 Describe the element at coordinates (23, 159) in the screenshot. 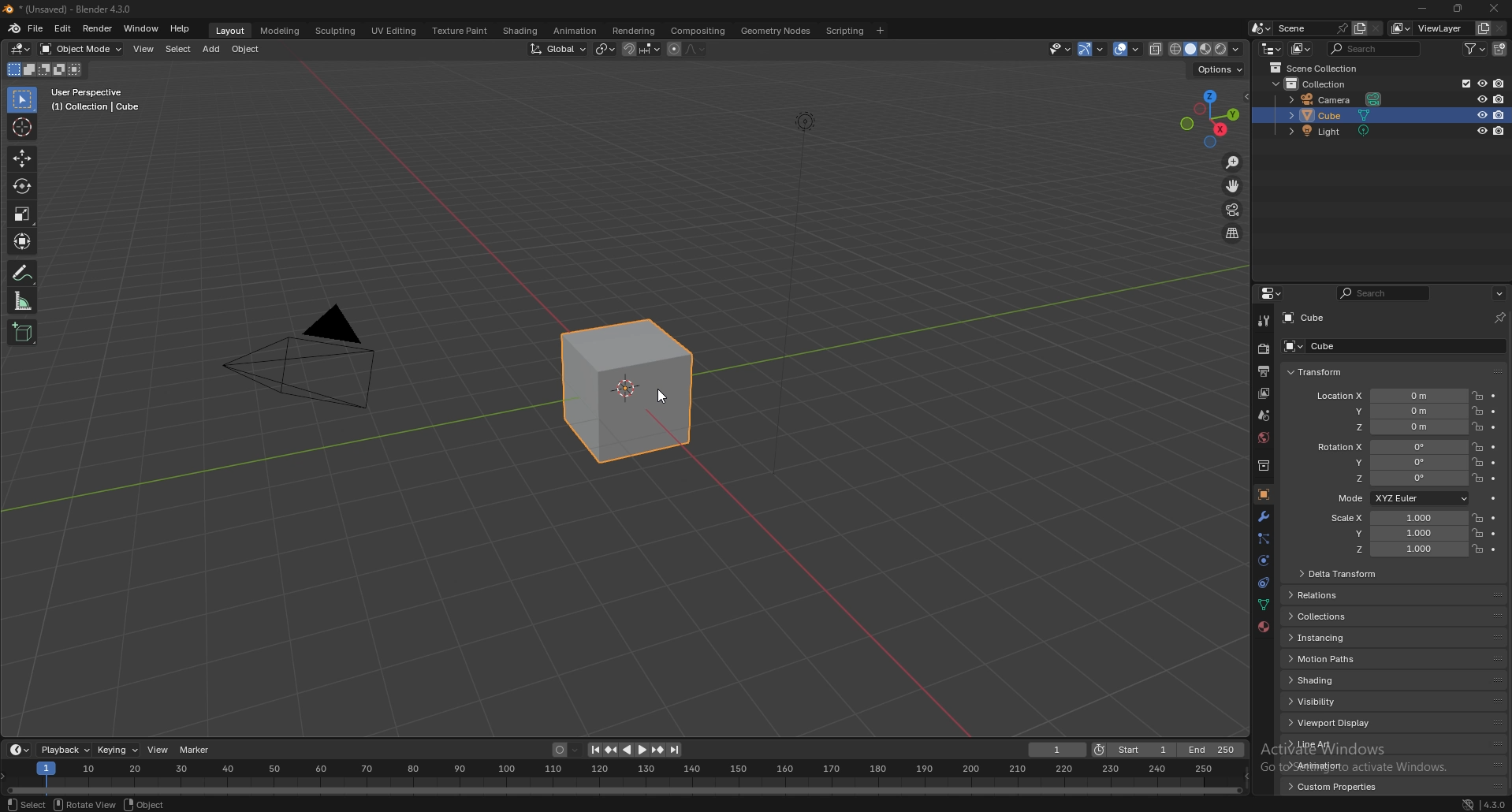

I see `move` at that location.